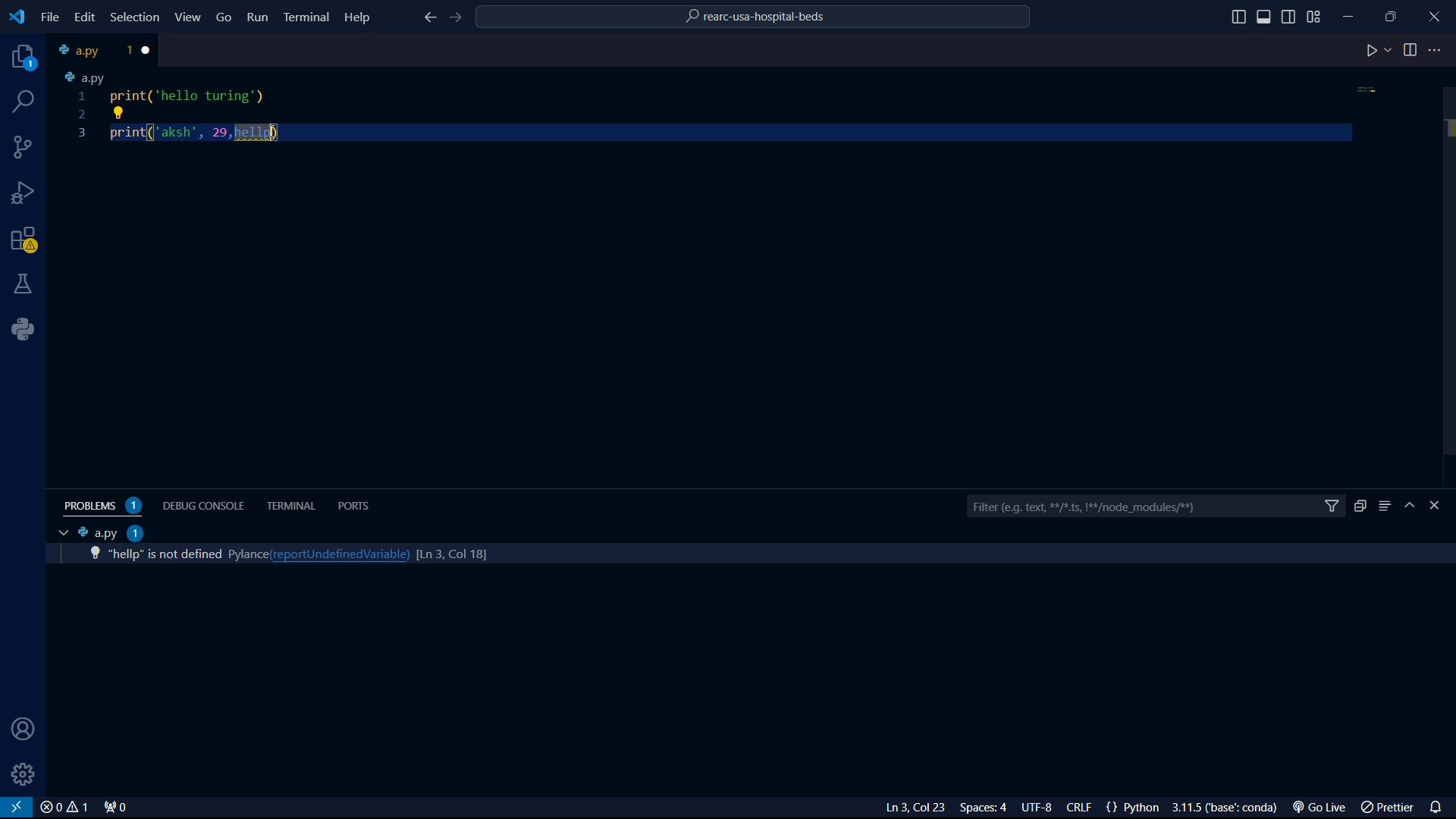 Image resolution: width=1456 pixels, height=819 pixels. I want to click on search, so click(25, 102).